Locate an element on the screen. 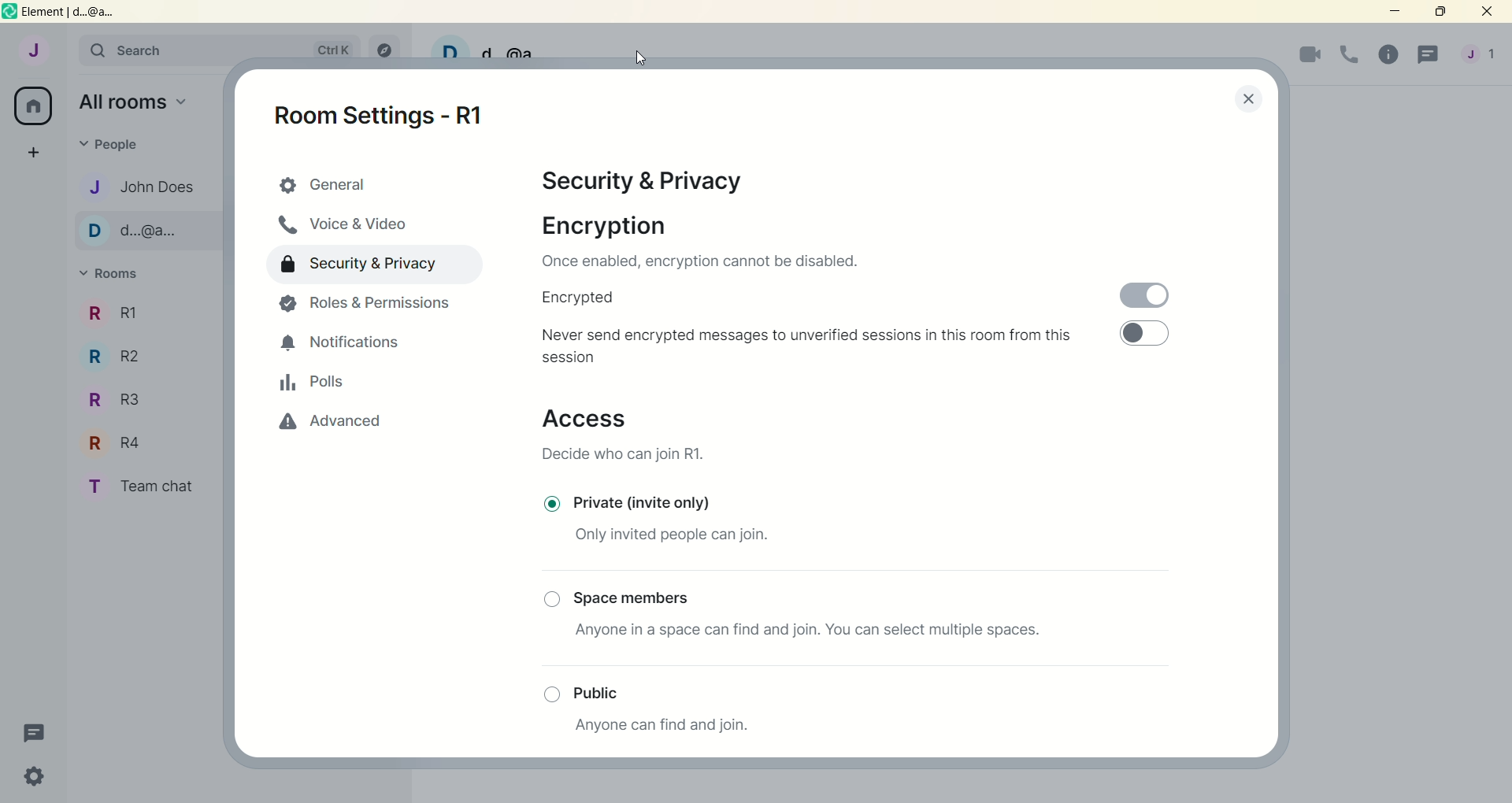 The height and width of the screenshot is (803, 1512). T Team chat is located at coordinates (146, 487).